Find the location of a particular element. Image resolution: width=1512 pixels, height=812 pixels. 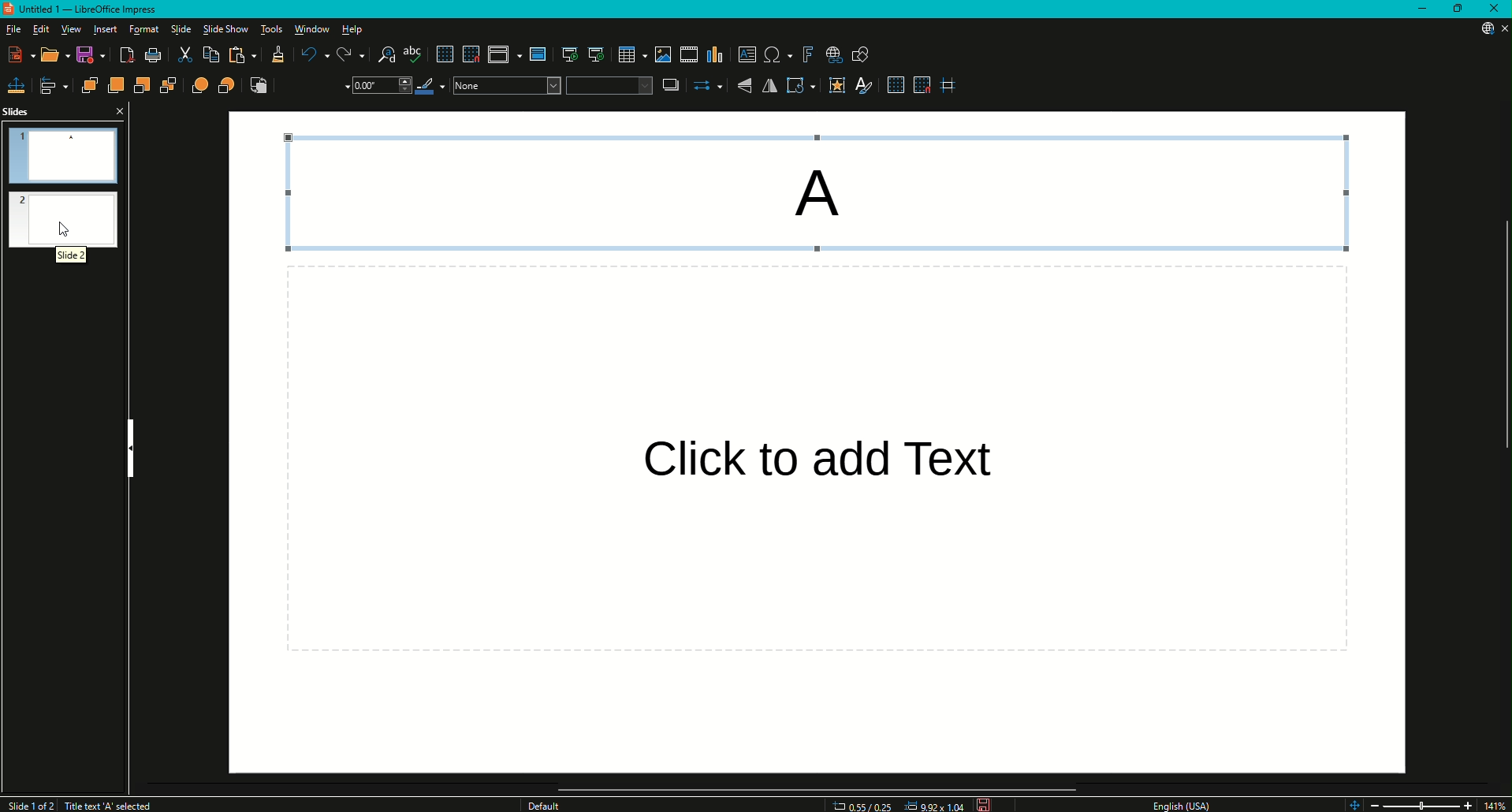

Interaction is located at coordinates (837, 86).